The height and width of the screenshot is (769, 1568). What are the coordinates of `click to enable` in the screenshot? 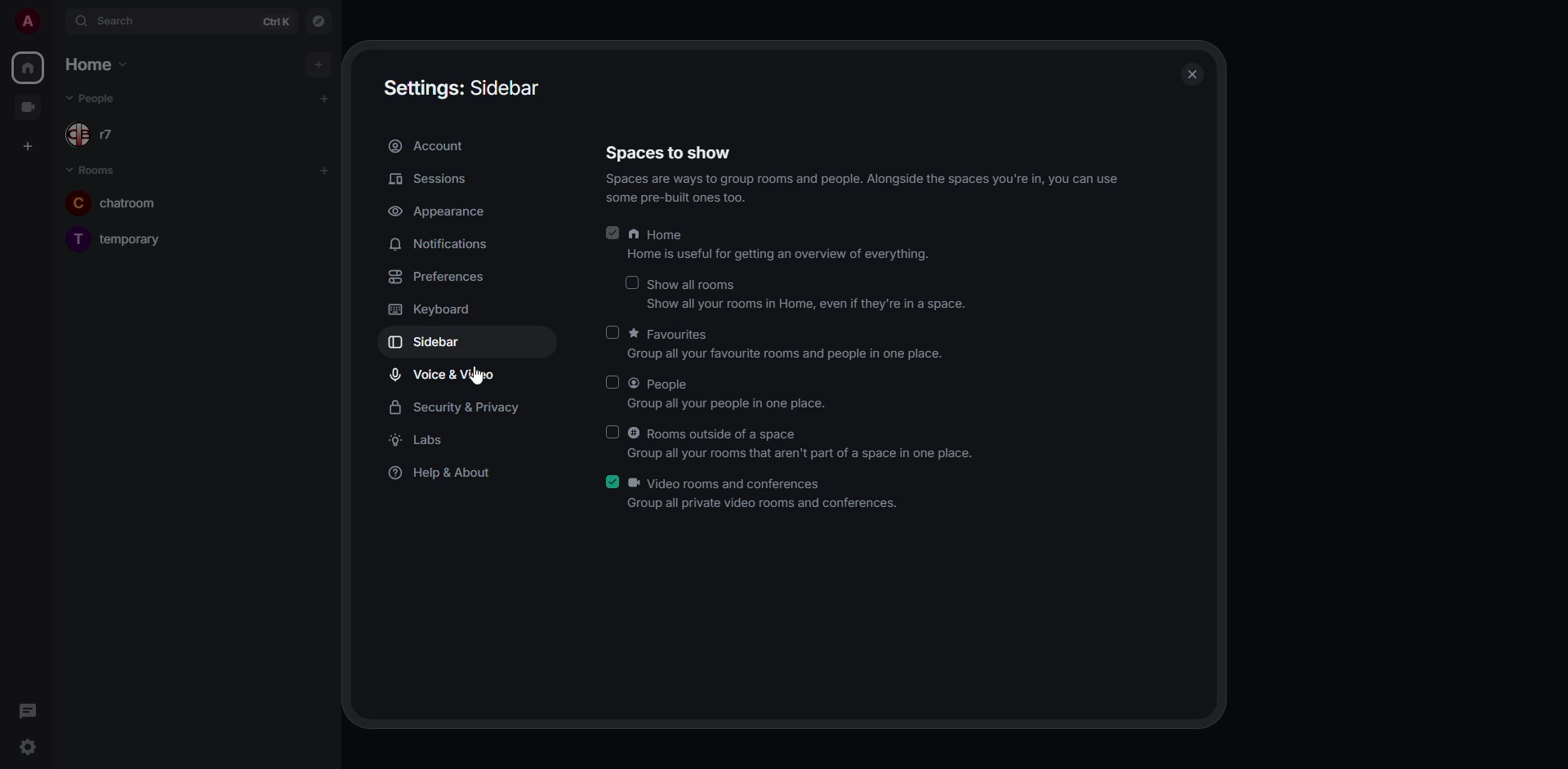 It's located at (612, 380).